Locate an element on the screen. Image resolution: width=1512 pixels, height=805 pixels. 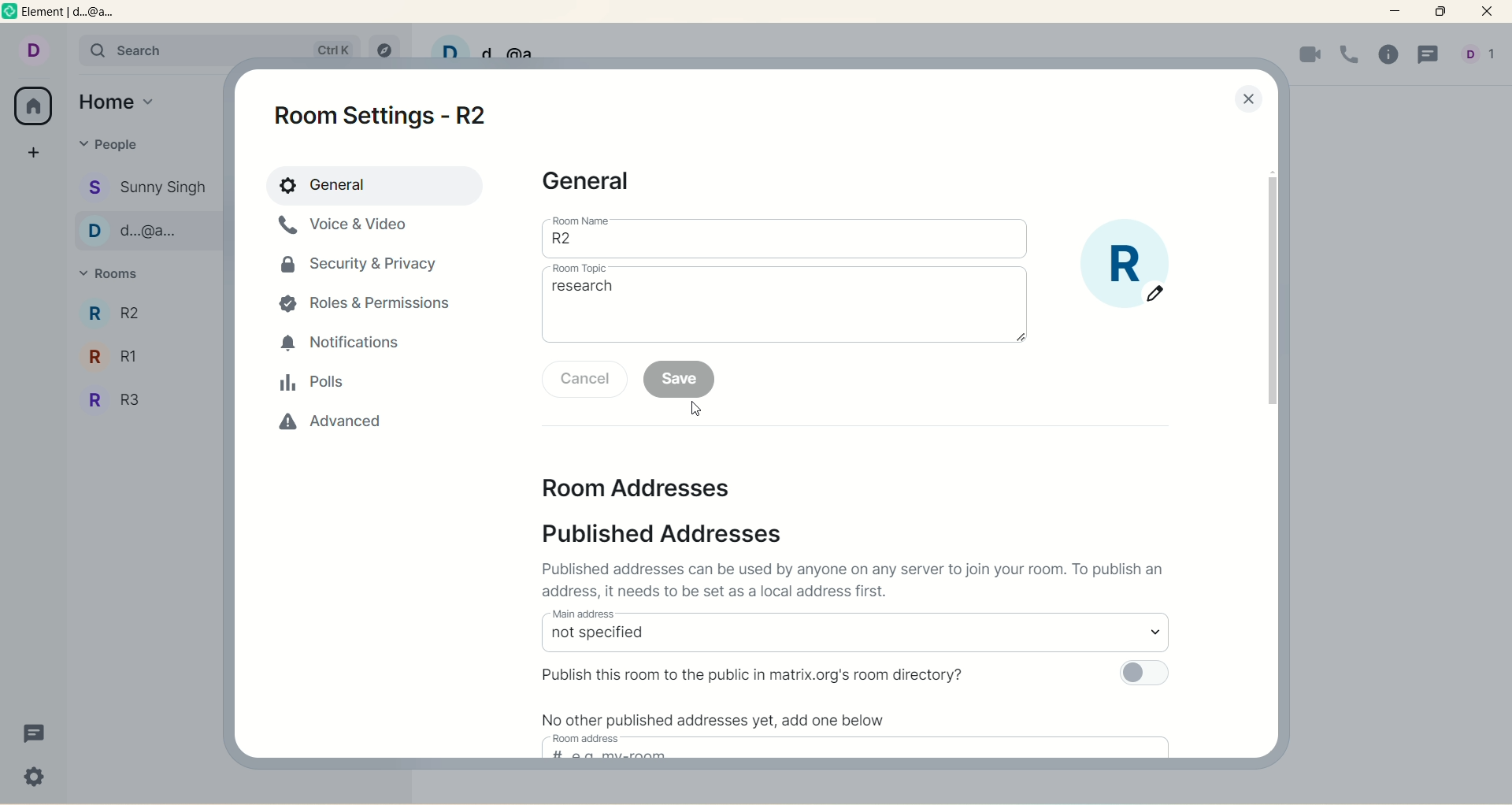
close is located at coordinates (1248, 101).